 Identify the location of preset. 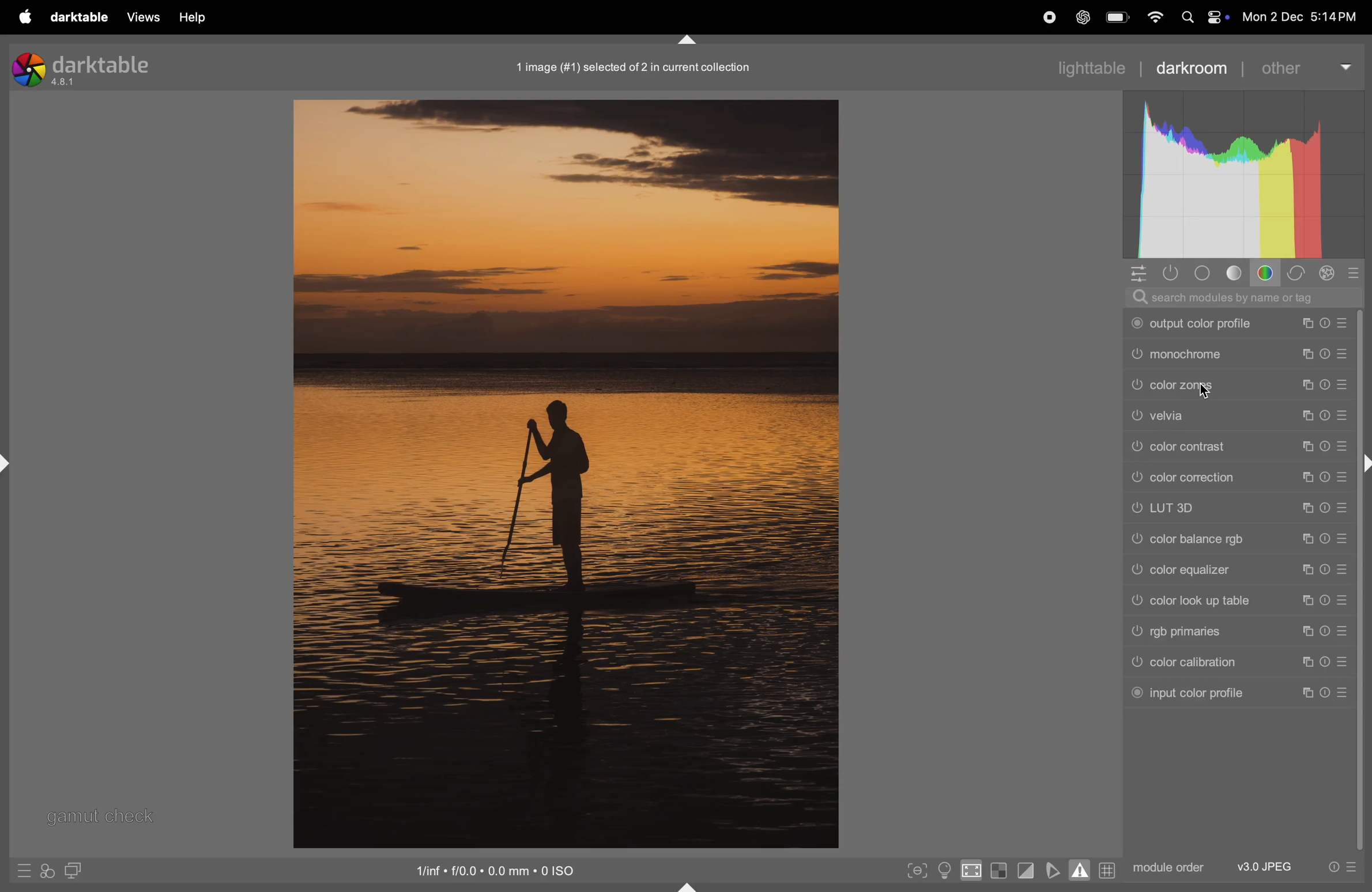
(1342, 476).